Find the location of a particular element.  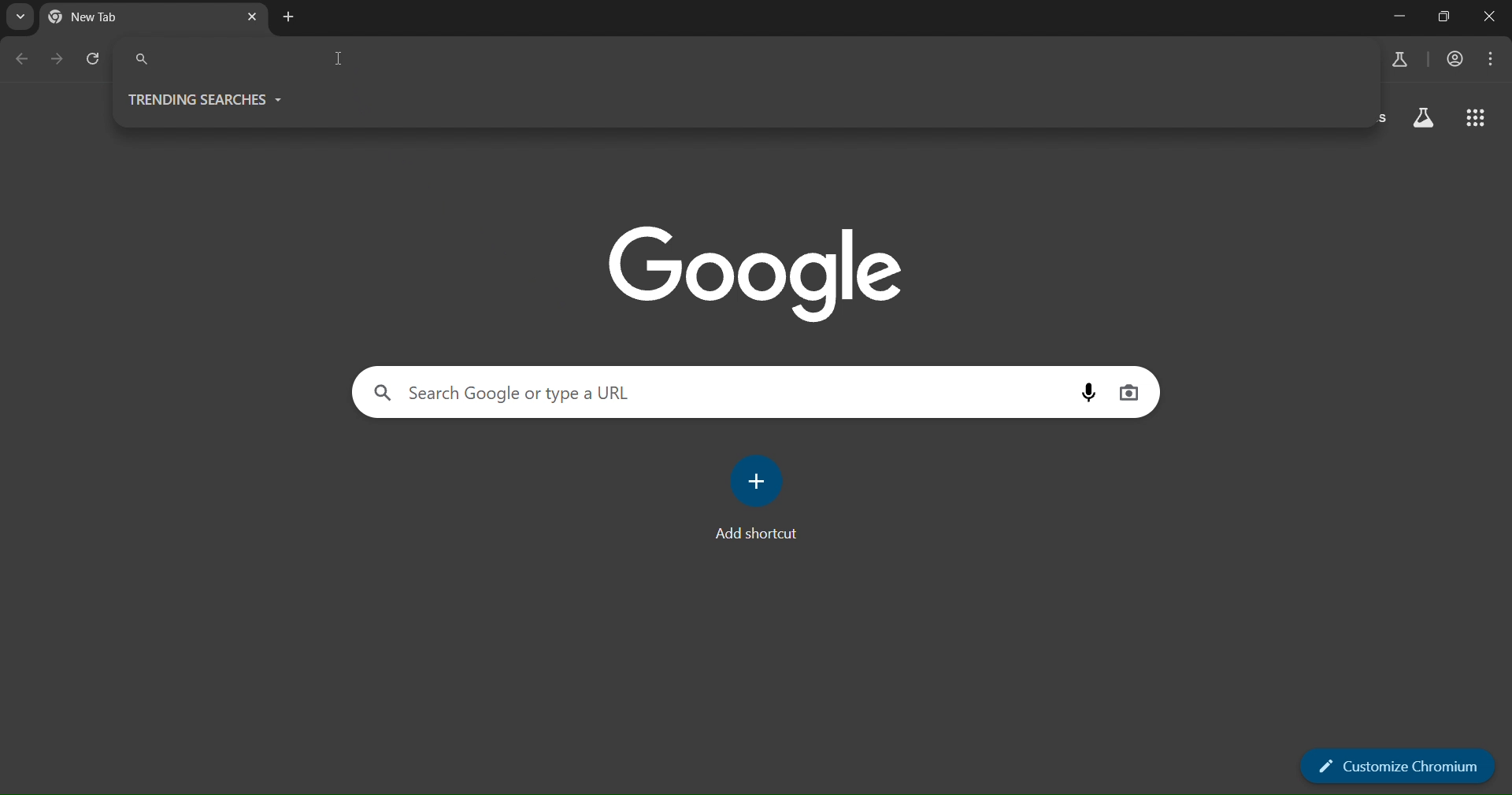

search tabs is located at coordinates (20, 19).